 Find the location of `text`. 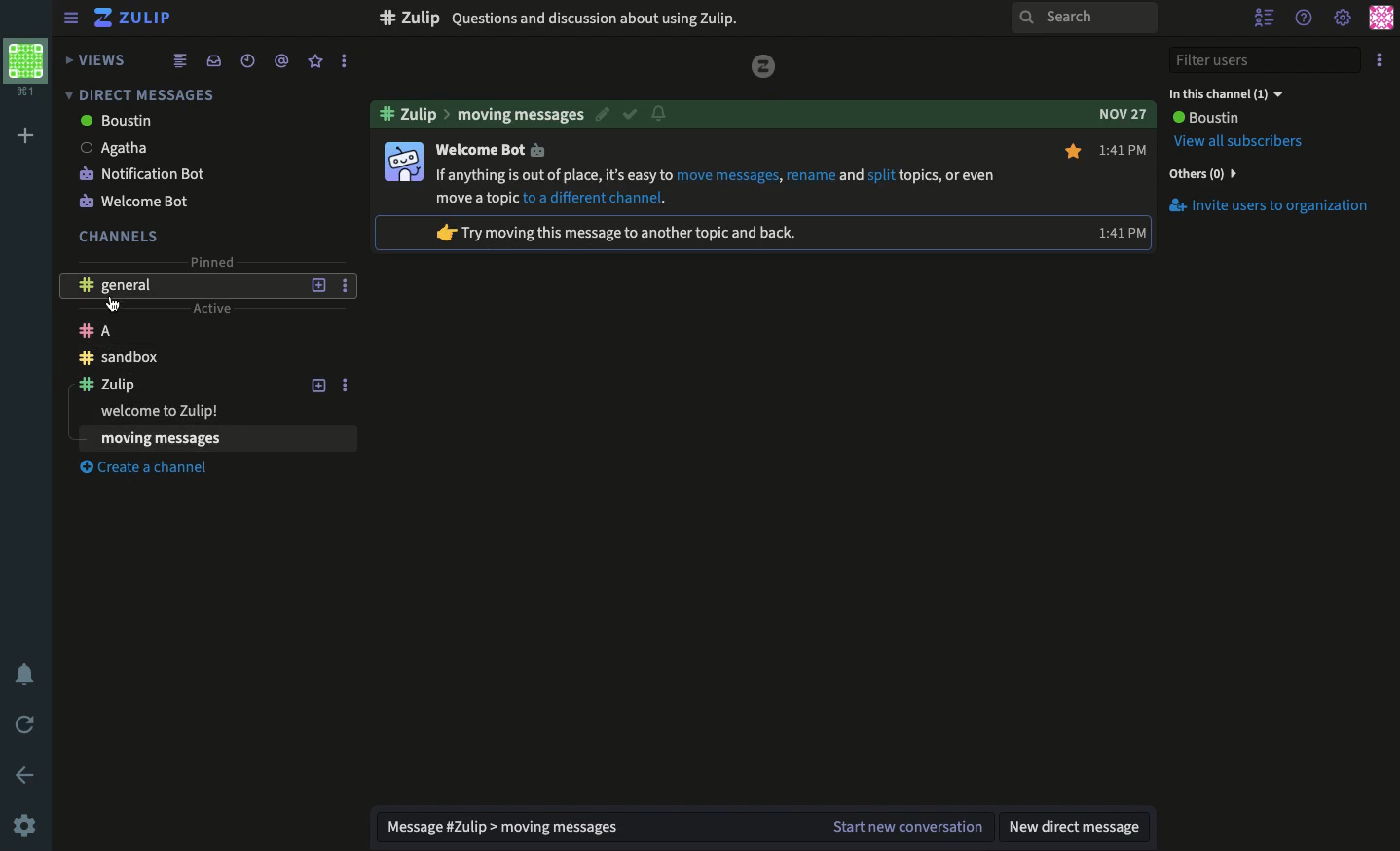

text is located at coordinates (614, 233).